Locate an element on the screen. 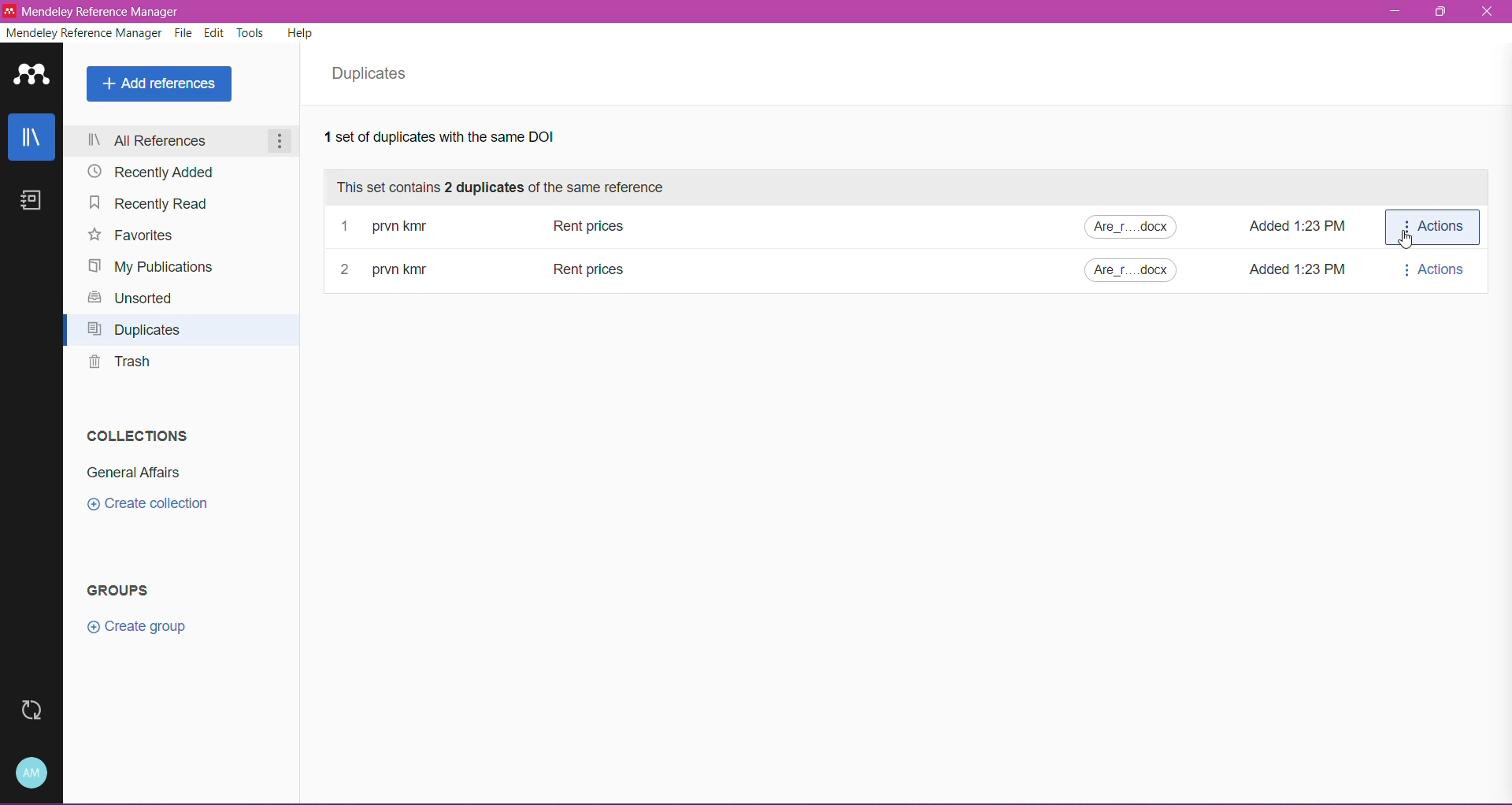 This screenshot has height=805, width=1512. Favorites is located at coordinates (132, 236).